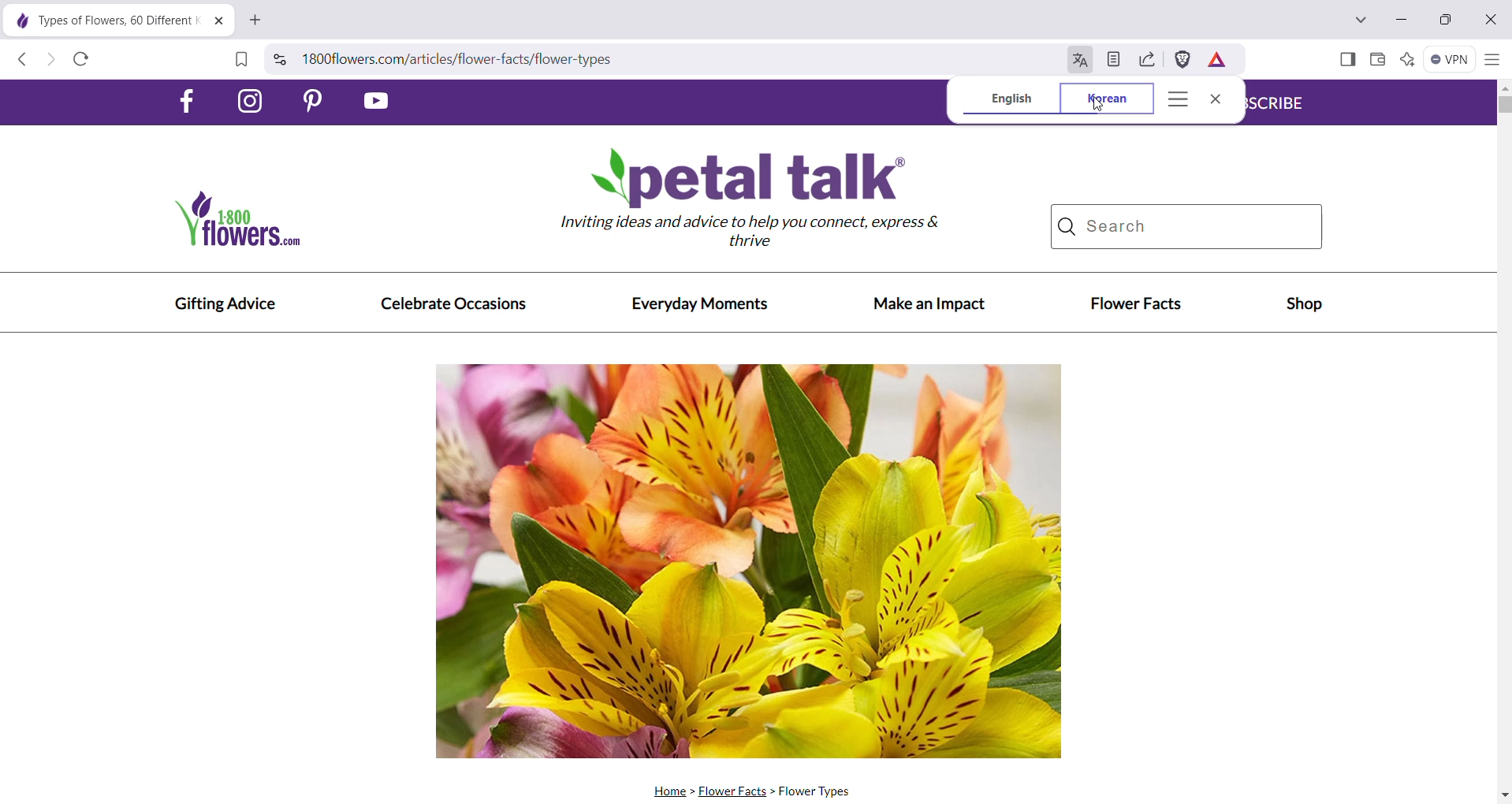 This screenshot has width=1512, height=804. Describe the element at coordinates (54, 59) in the screenshot. I see `Click to go forward, hold to see history` at that location.